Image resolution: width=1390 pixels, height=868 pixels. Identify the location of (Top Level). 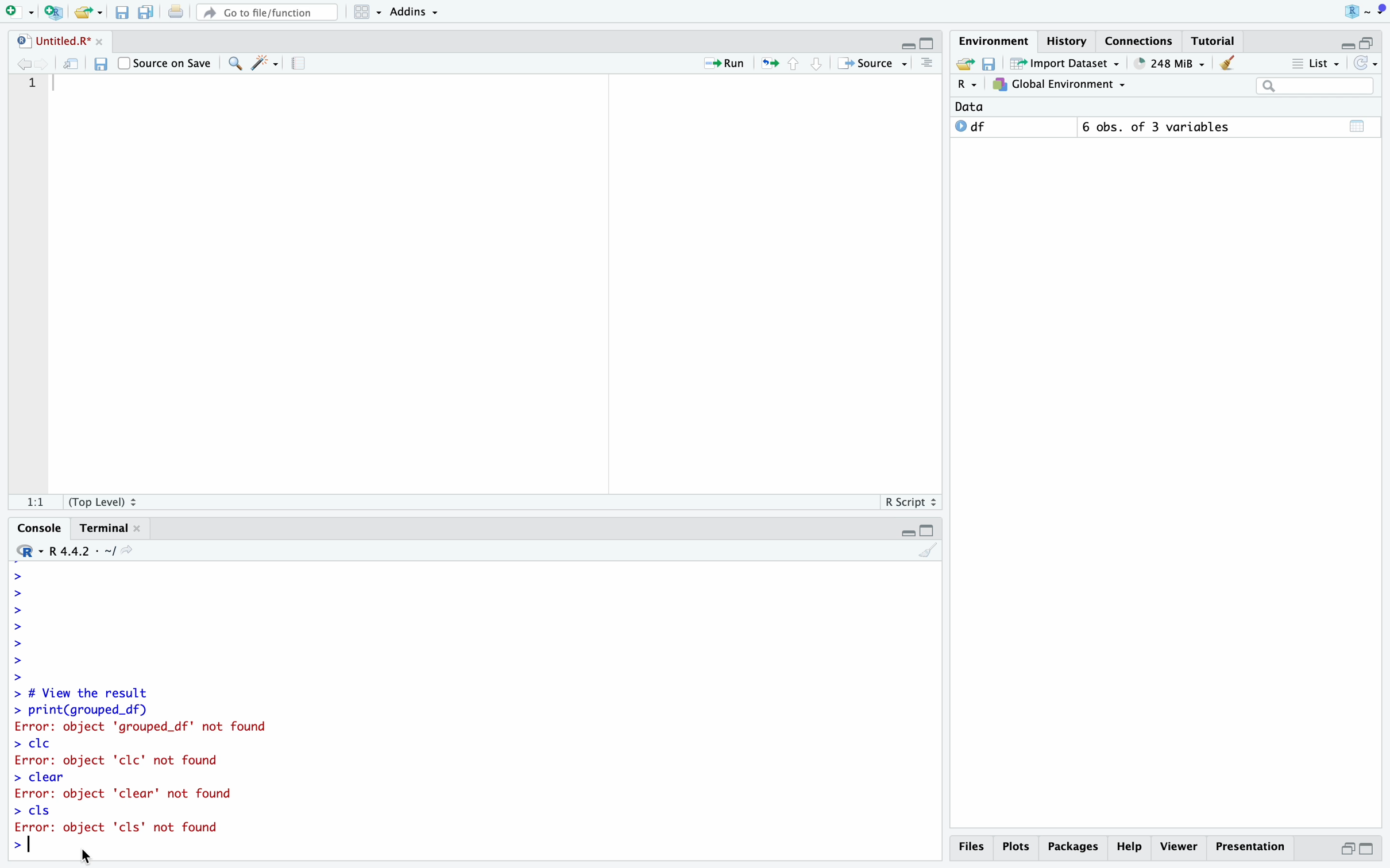
(105, 501).